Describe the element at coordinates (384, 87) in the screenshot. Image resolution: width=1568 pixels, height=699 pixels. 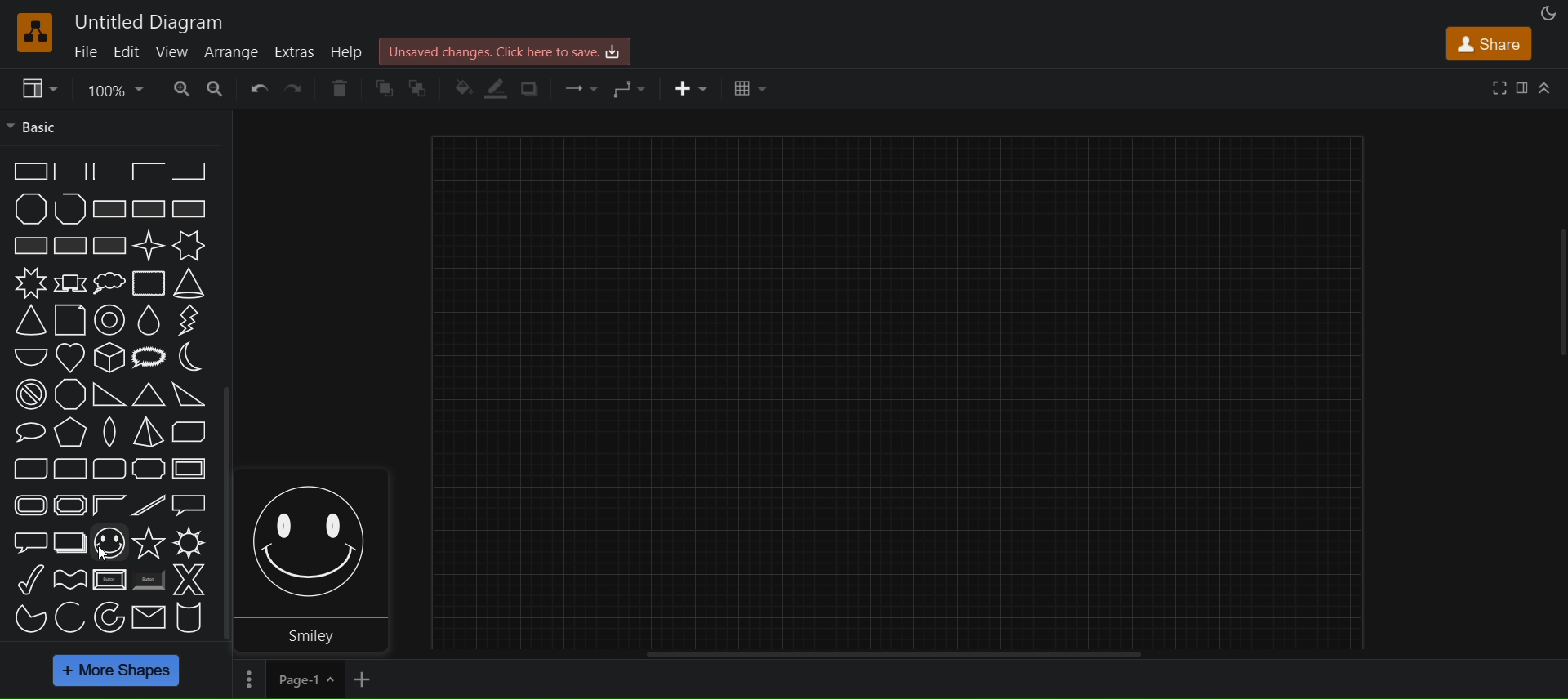
I see `to front` at that location.